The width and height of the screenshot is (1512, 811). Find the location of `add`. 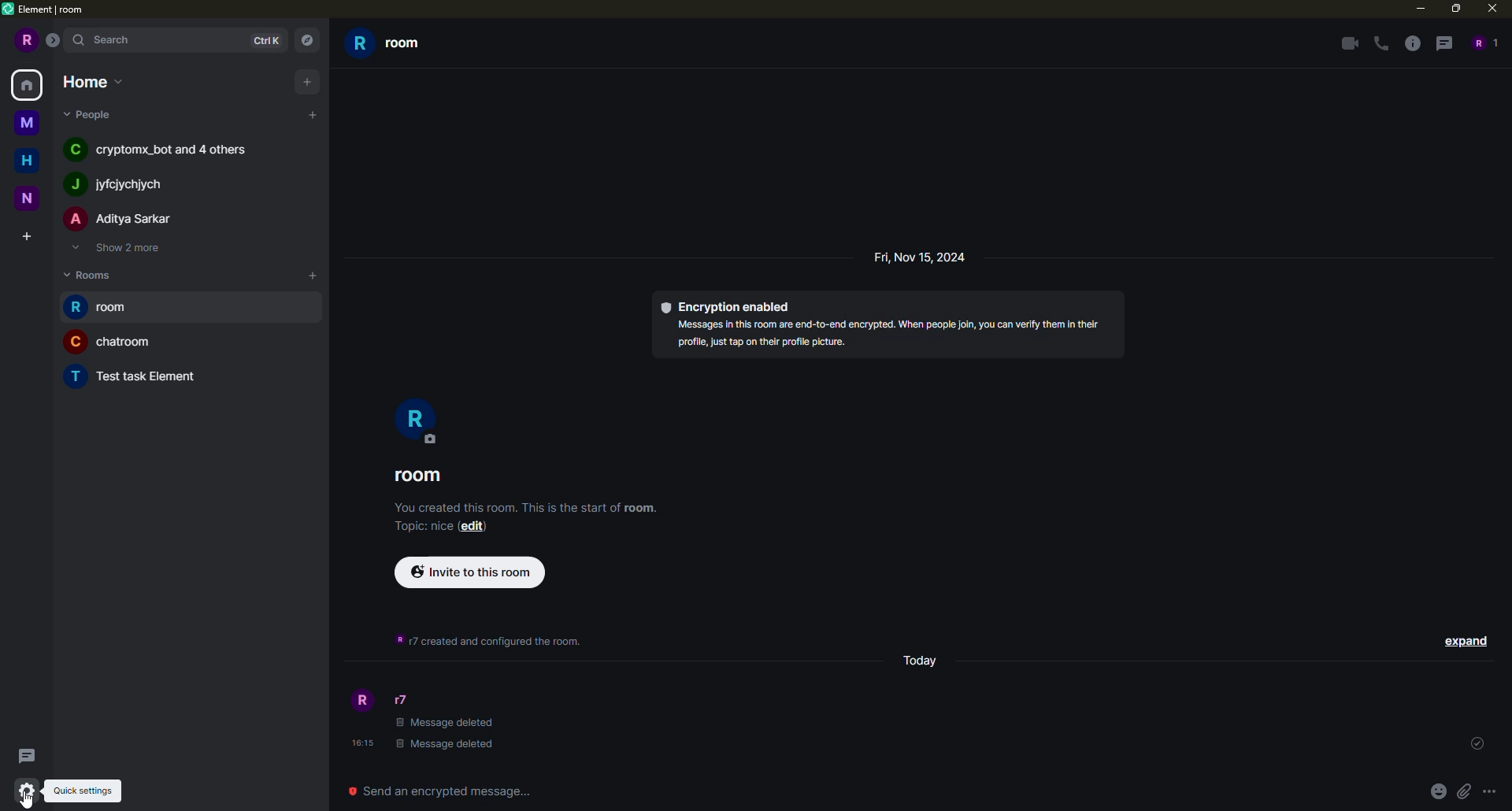

add is located at coordinates (314, 275).